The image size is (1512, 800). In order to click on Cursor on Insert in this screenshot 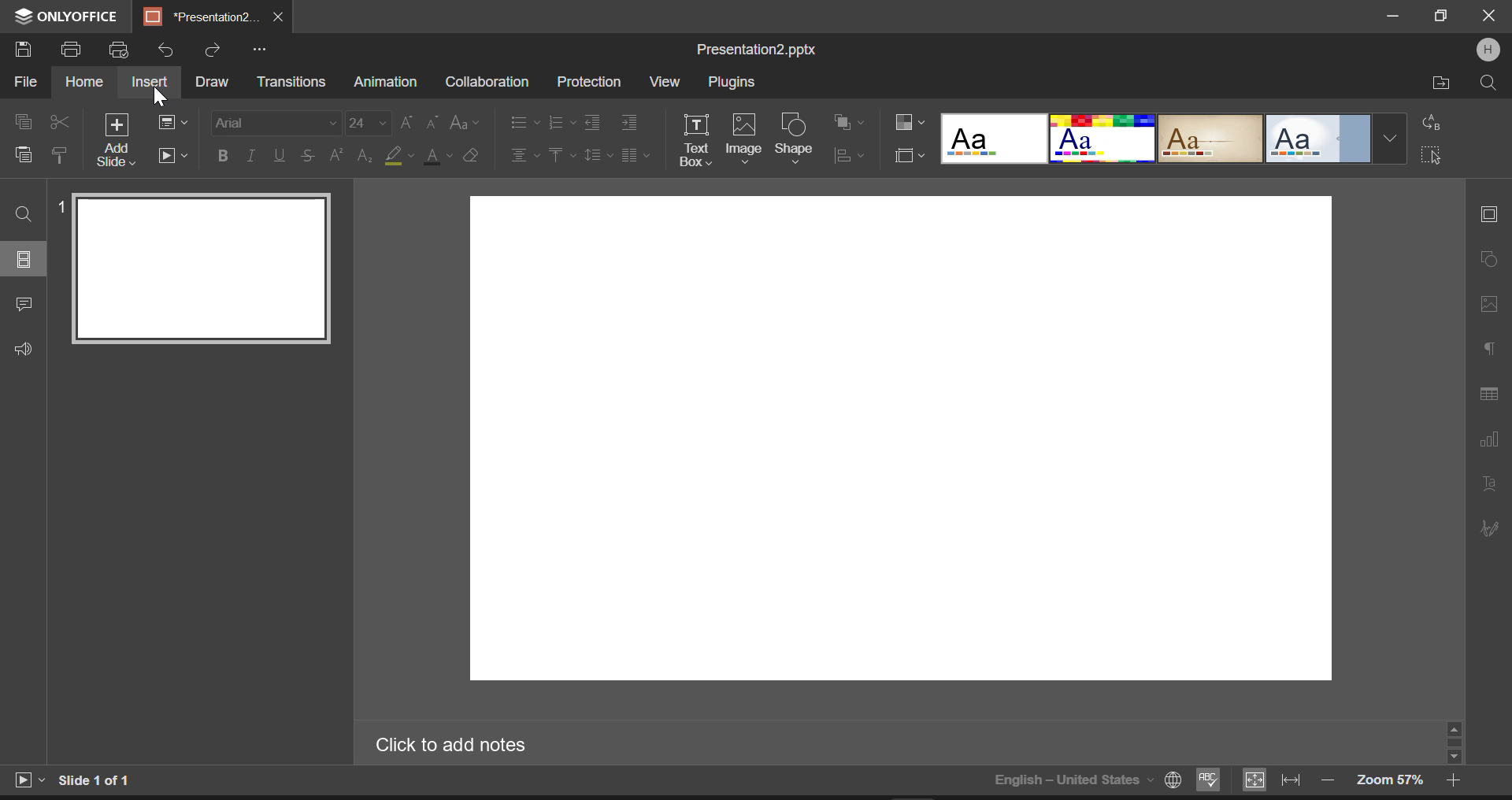, I will do `click(161, 98)`.